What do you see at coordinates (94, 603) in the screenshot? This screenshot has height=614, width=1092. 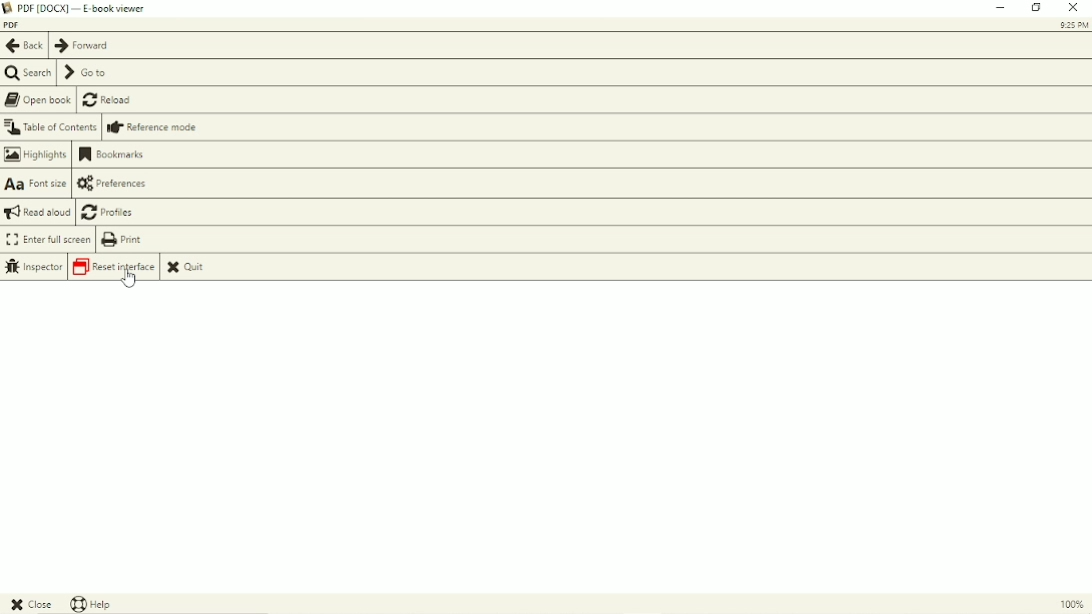 I see `Help` at bounding box center [94, 603].